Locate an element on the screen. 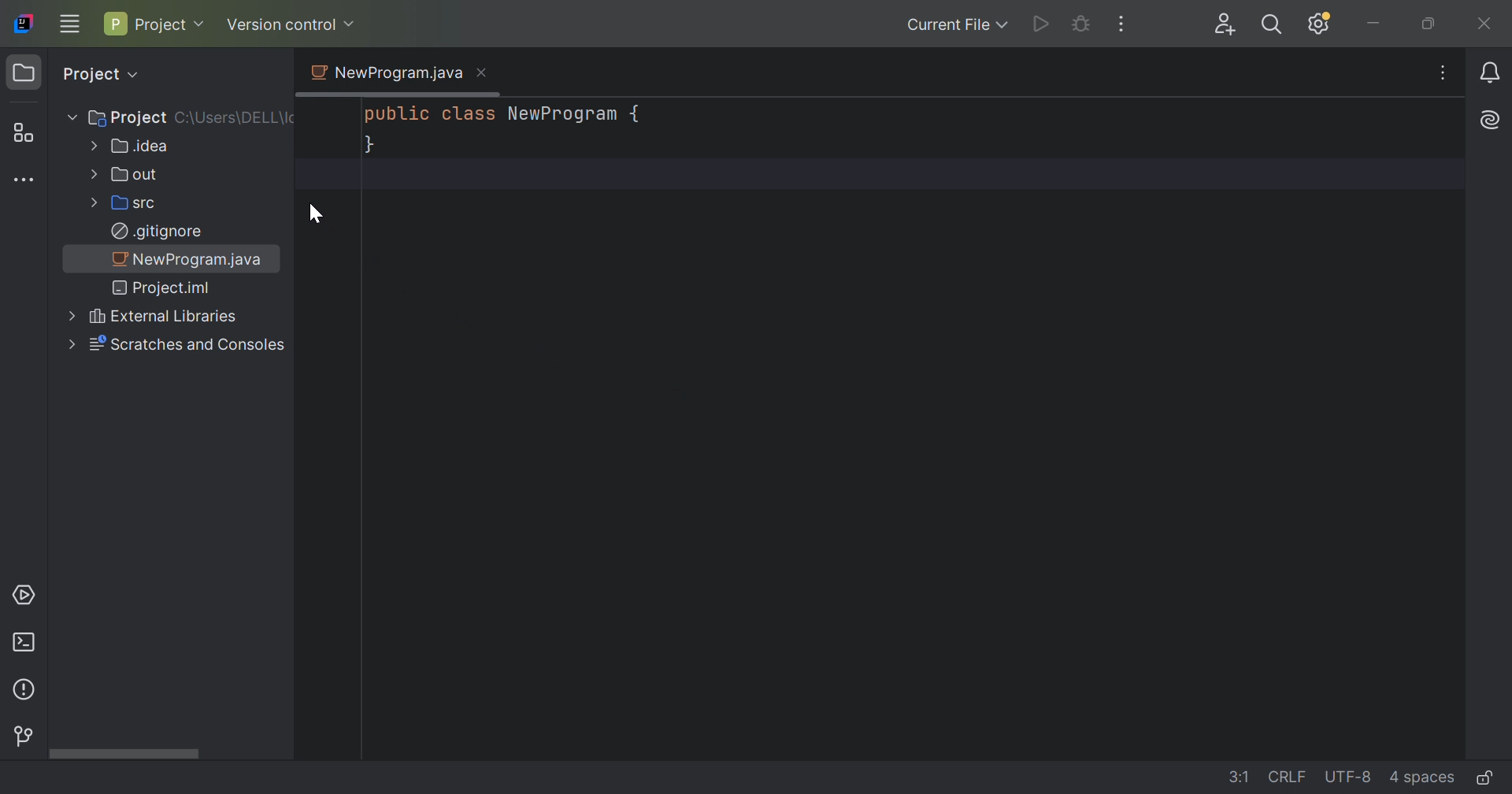 This screenshot has width=1512, height=794. External Libraries is located at coordinates (164, 317).